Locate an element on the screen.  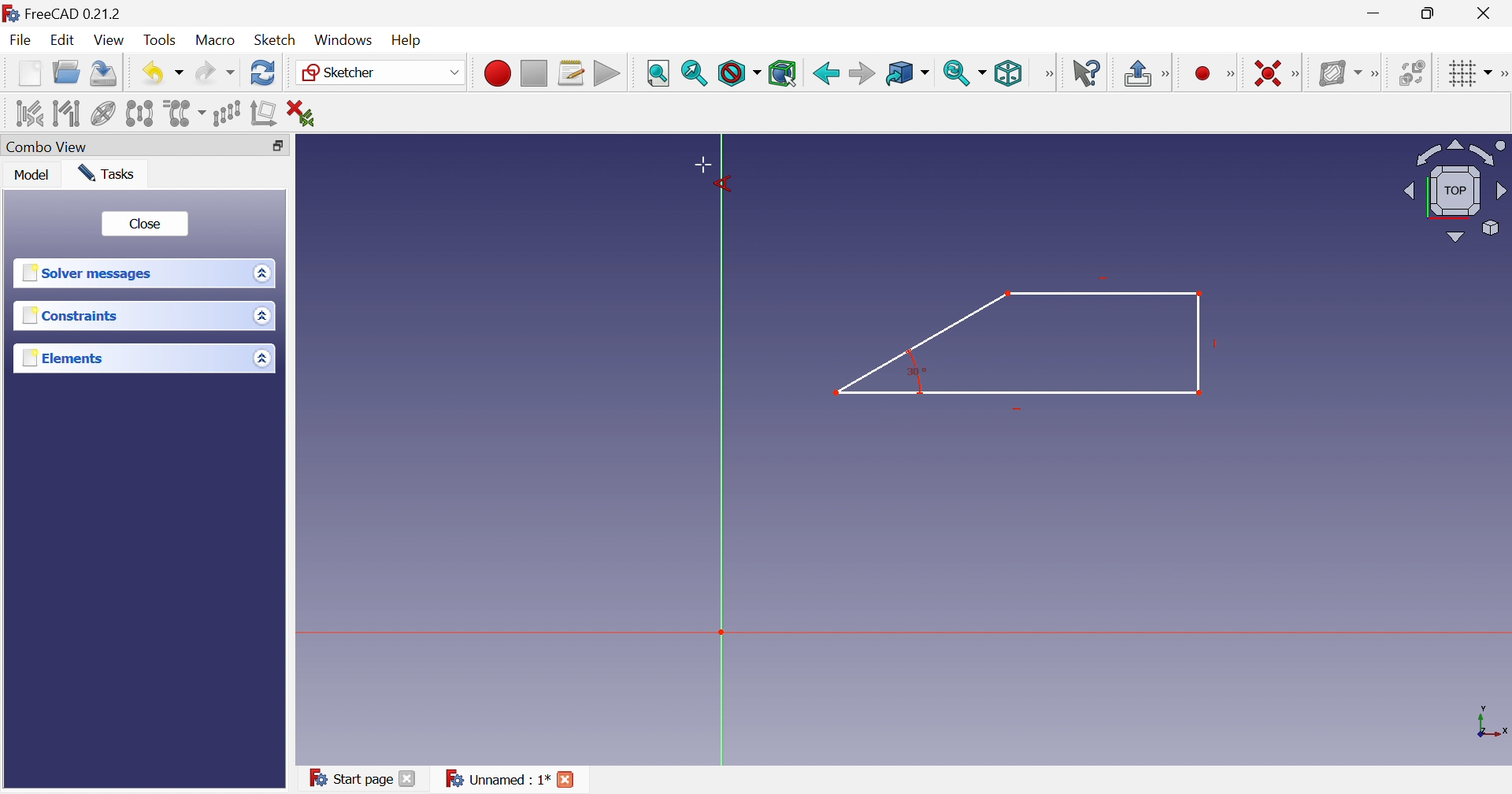
Macros ... is located at coordinates (571, 72).